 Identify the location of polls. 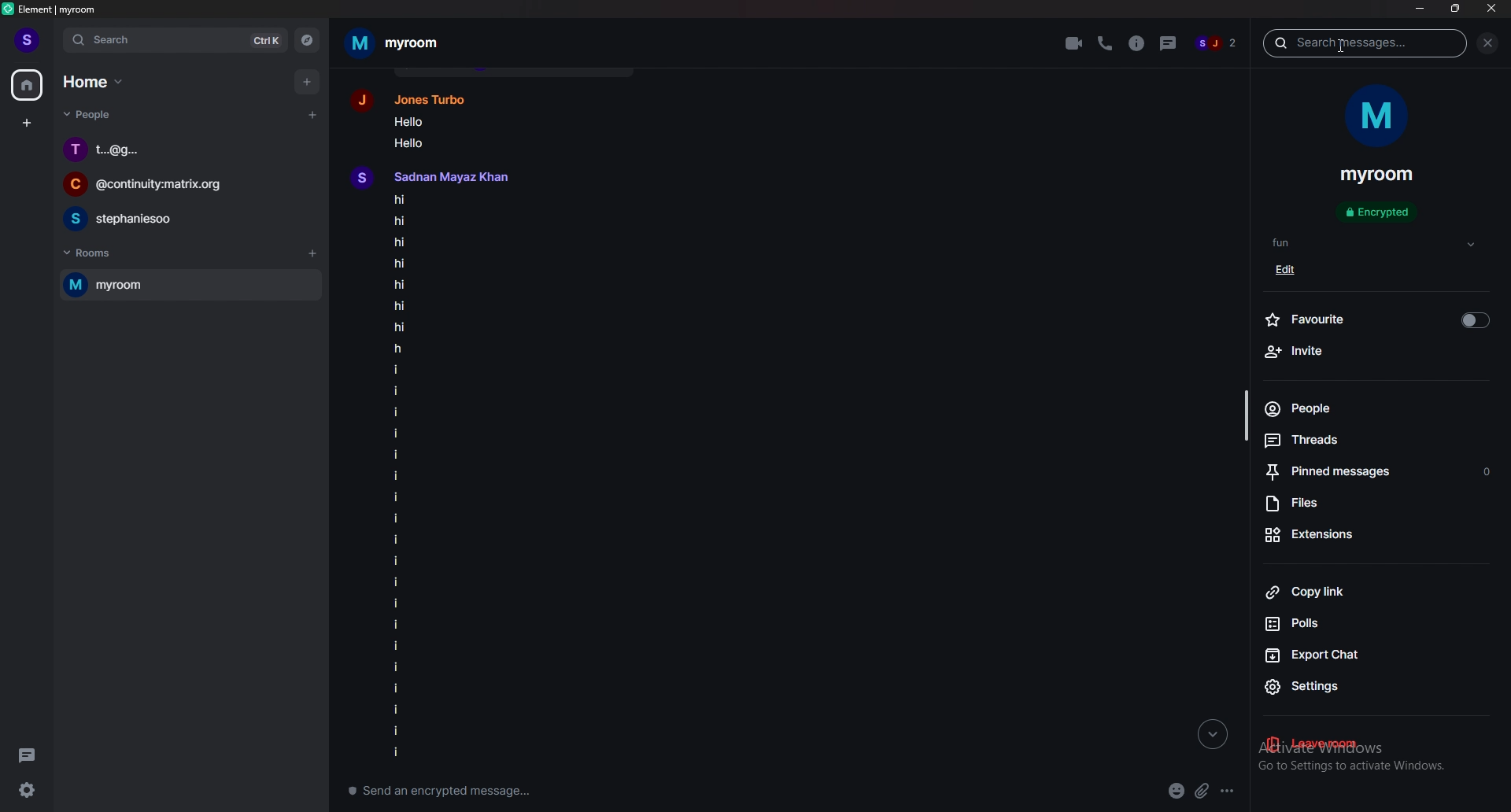
(1336, 624).